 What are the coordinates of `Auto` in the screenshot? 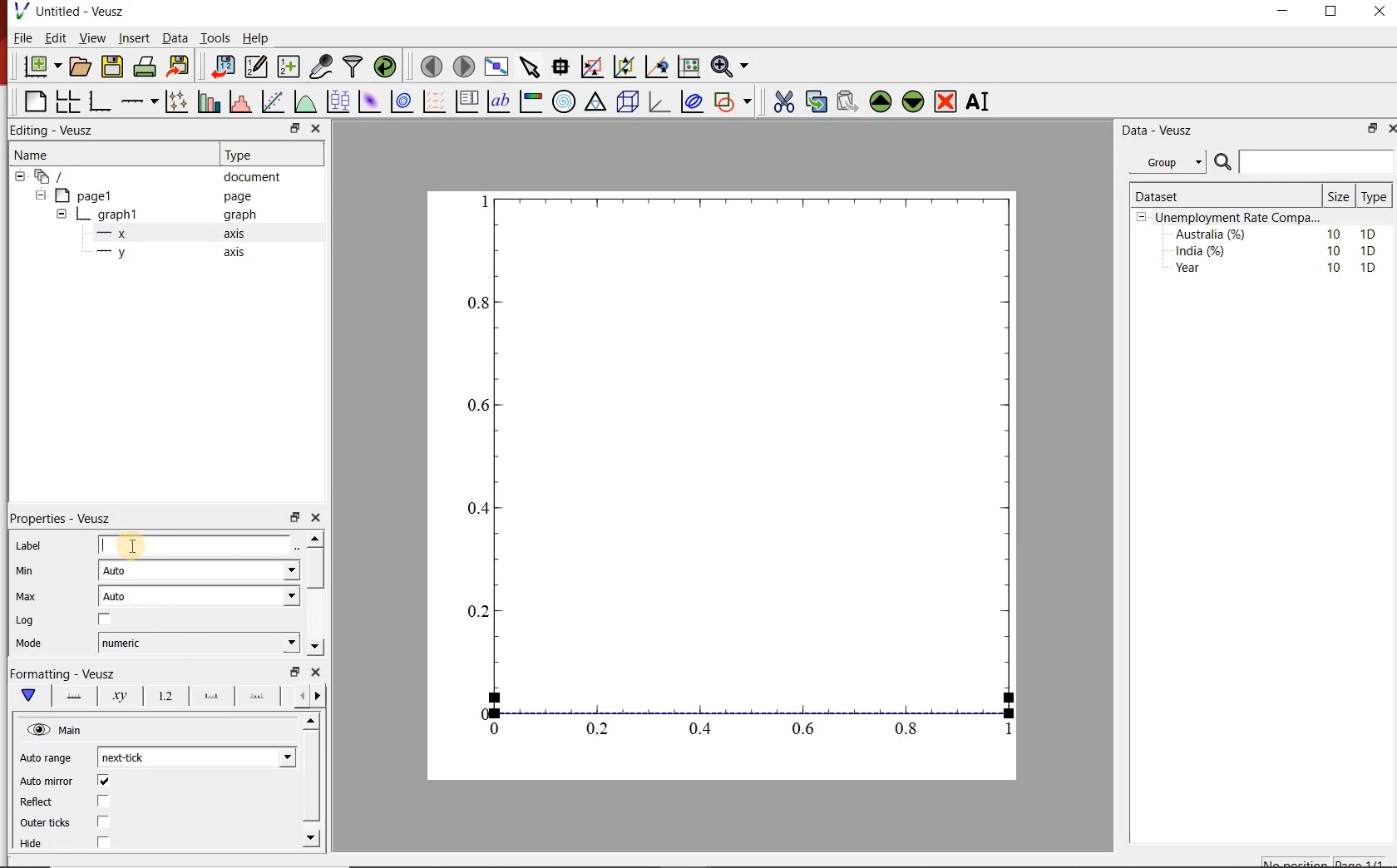 It's located at (200, 570).